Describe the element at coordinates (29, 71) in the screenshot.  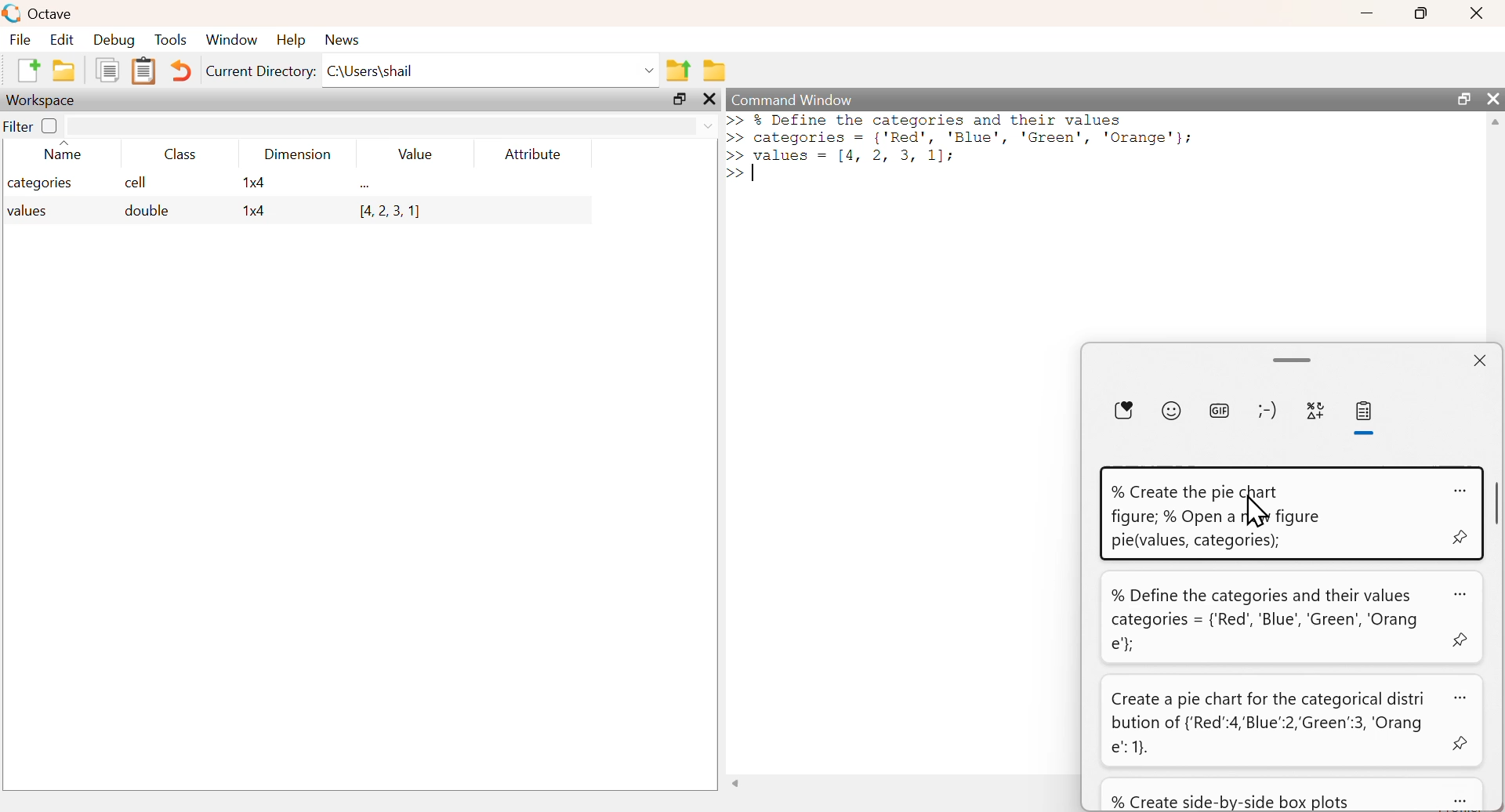
I see `New File` at that location.